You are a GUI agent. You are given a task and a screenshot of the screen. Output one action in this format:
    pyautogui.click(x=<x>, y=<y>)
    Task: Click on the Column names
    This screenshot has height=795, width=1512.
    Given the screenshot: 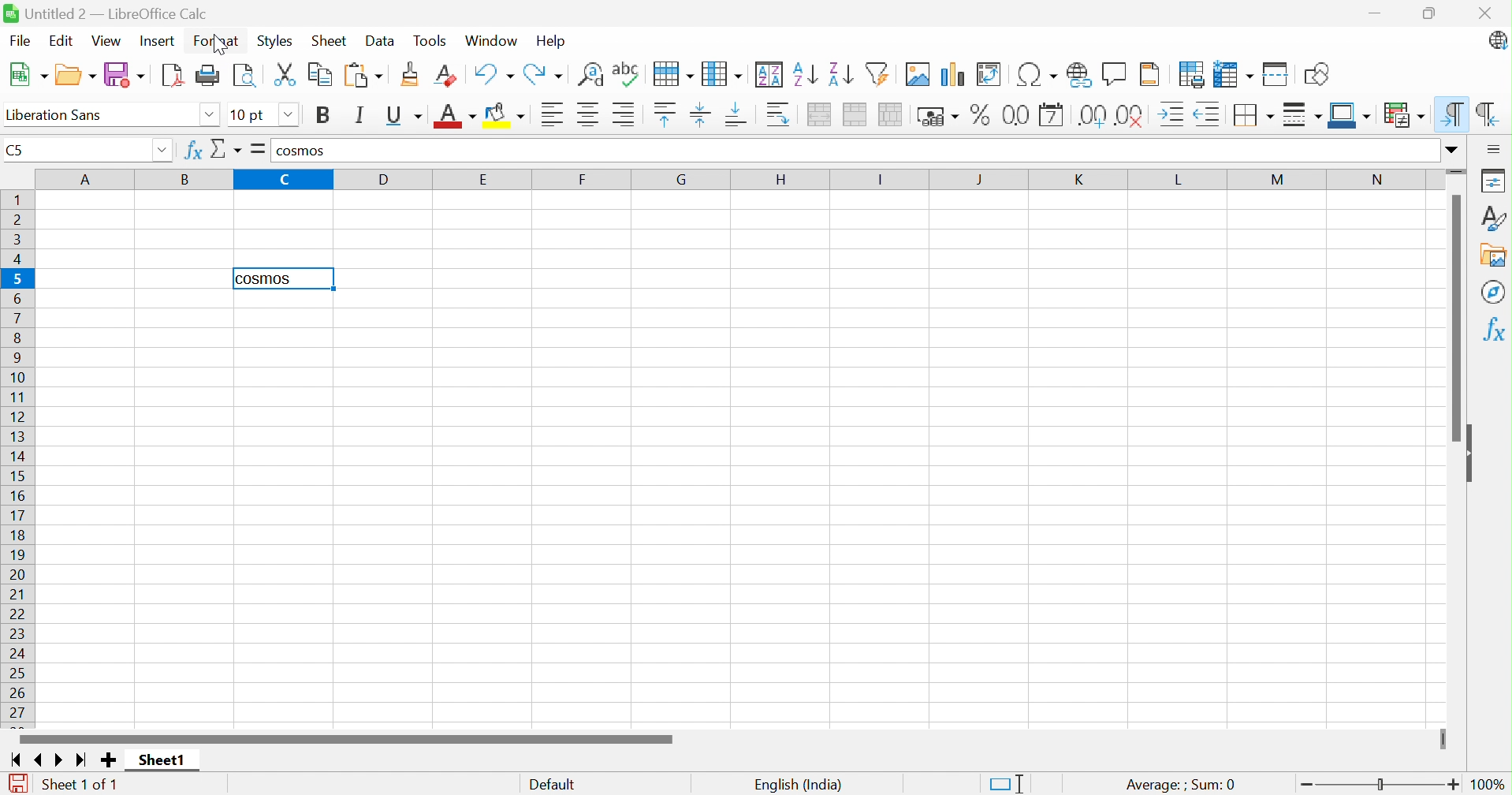 What is the action you would take?
    pyautogui.click(x=736, y=178)
    